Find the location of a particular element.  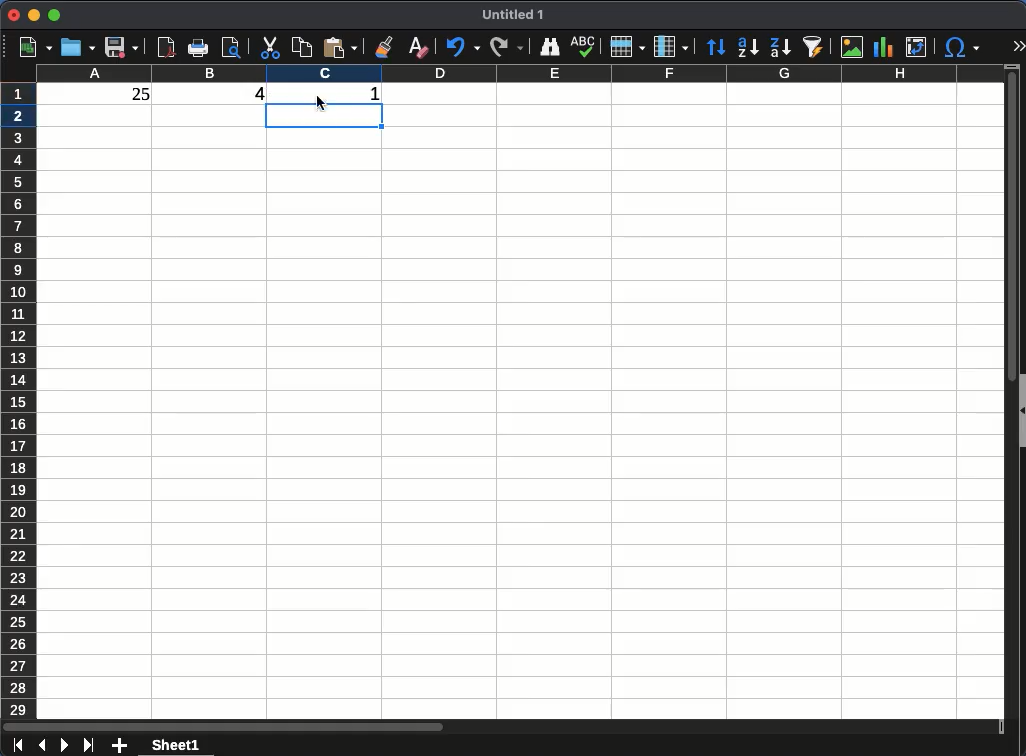

Untitled 1 is located at coordinates (515, 15).